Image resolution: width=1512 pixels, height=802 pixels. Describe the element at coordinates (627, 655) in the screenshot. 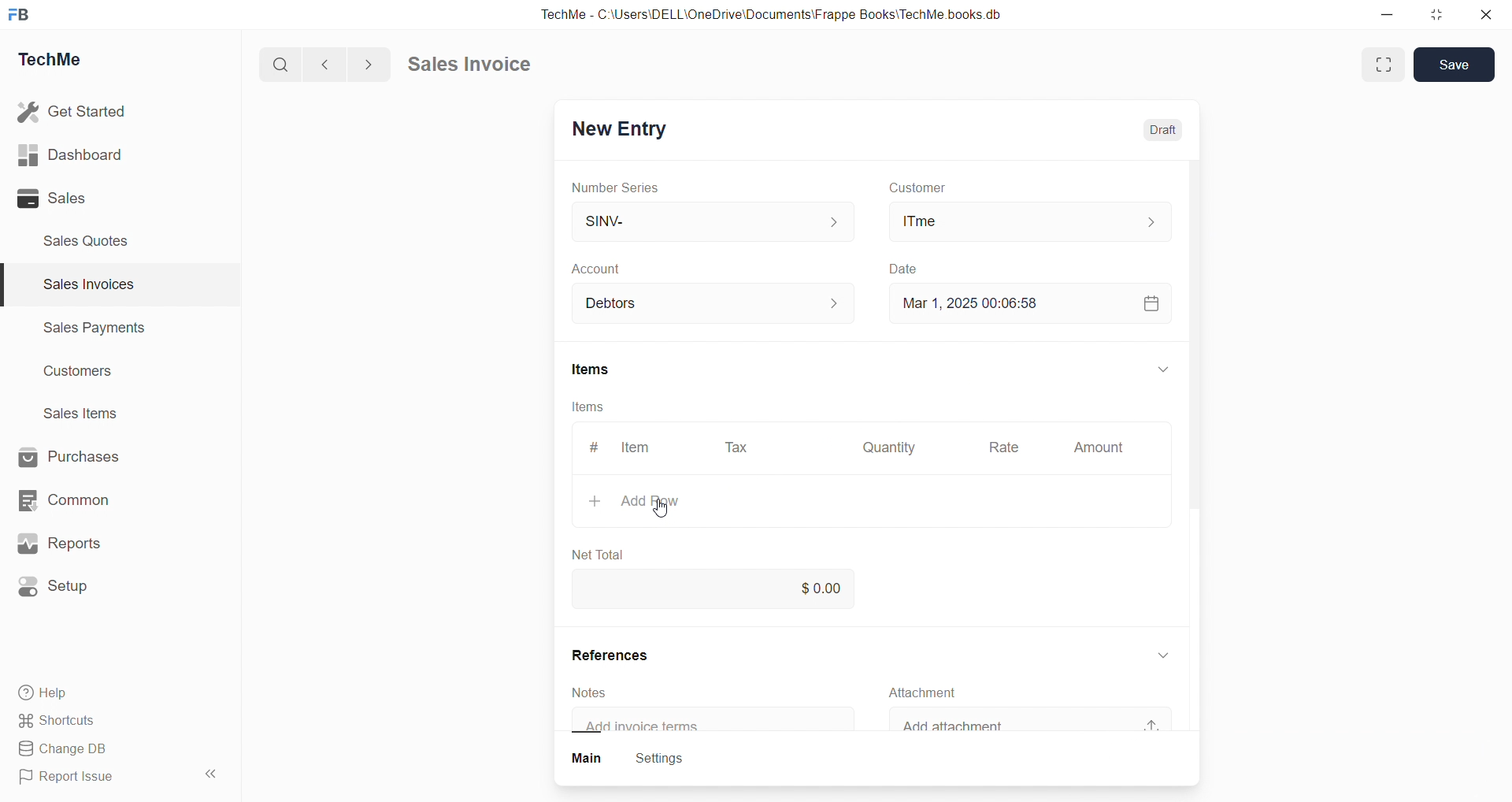

I see `References` at that location.